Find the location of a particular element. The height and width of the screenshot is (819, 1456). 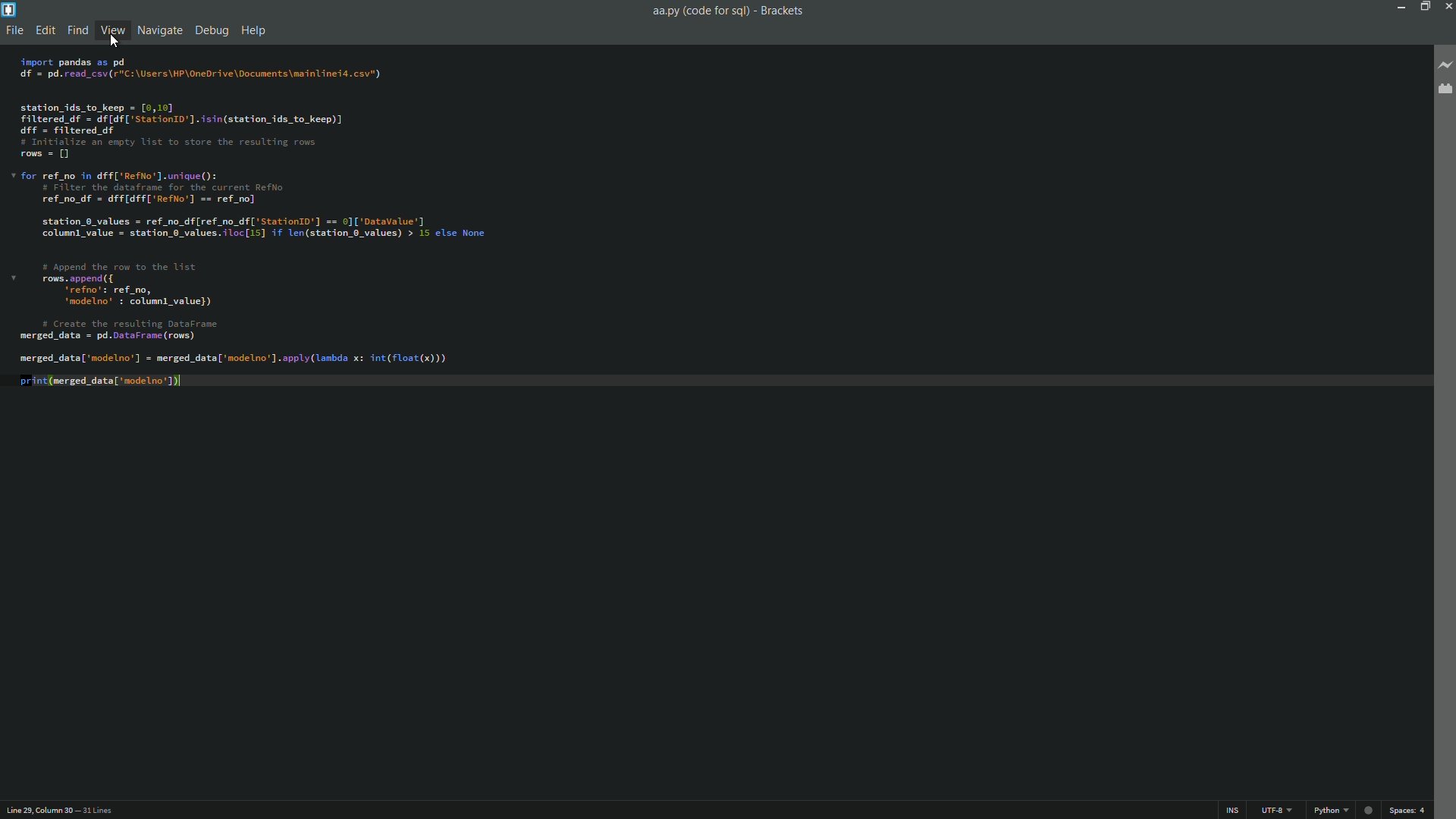

edit menu is located at coordinates (43, 30).